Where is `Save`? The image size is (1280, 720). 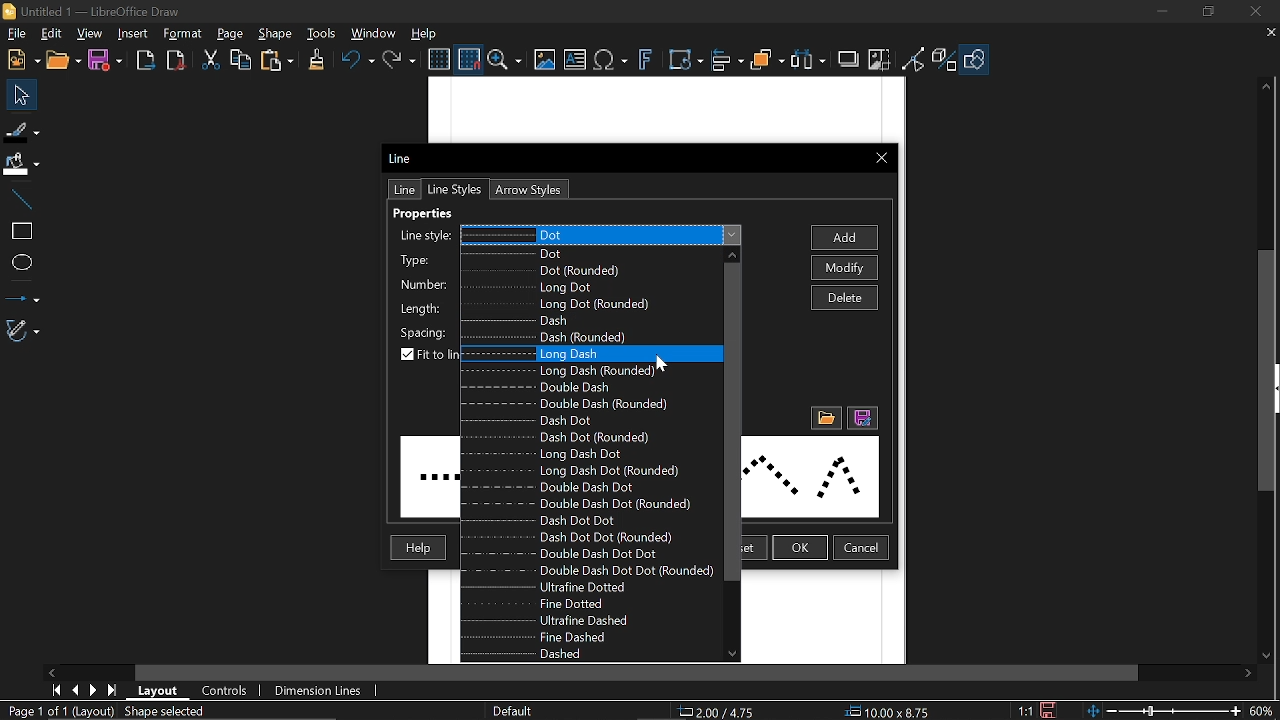
Save is located at coordinates (861, 419).